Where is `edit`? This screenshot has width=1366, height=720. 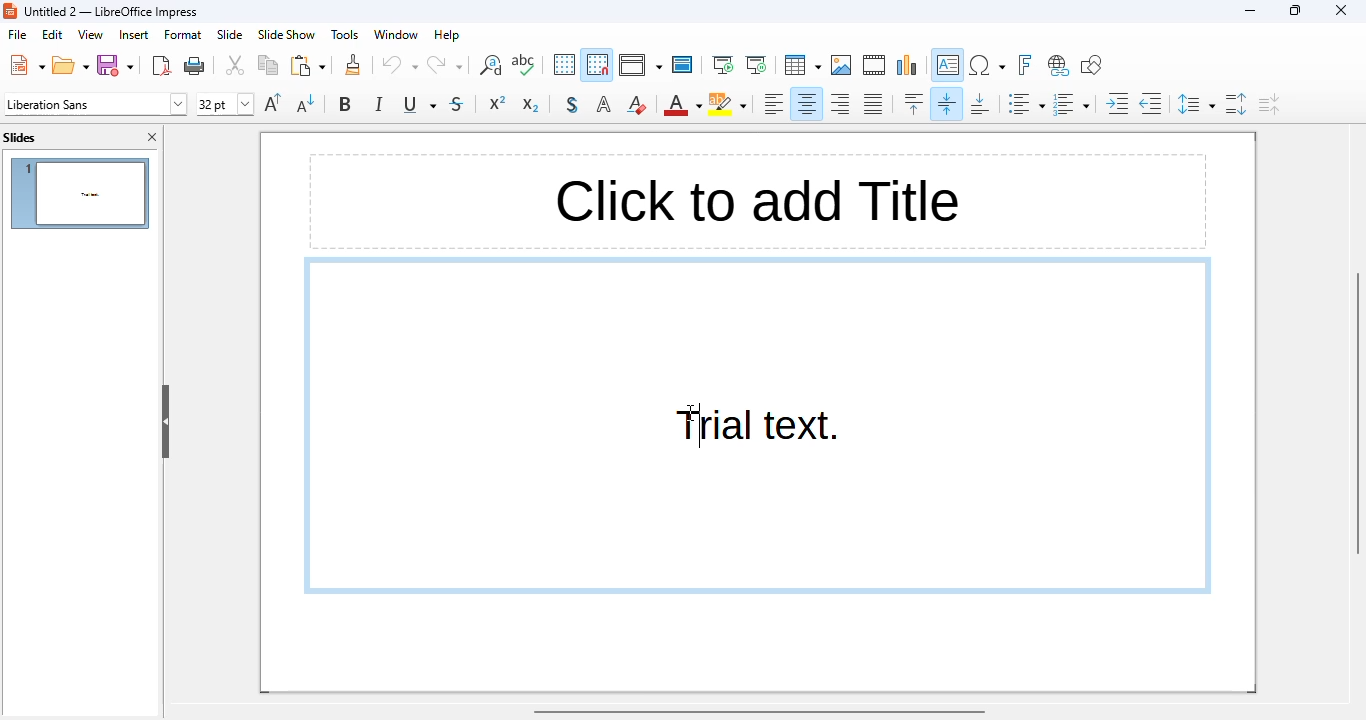 edit is located at coordinates (52, 35).